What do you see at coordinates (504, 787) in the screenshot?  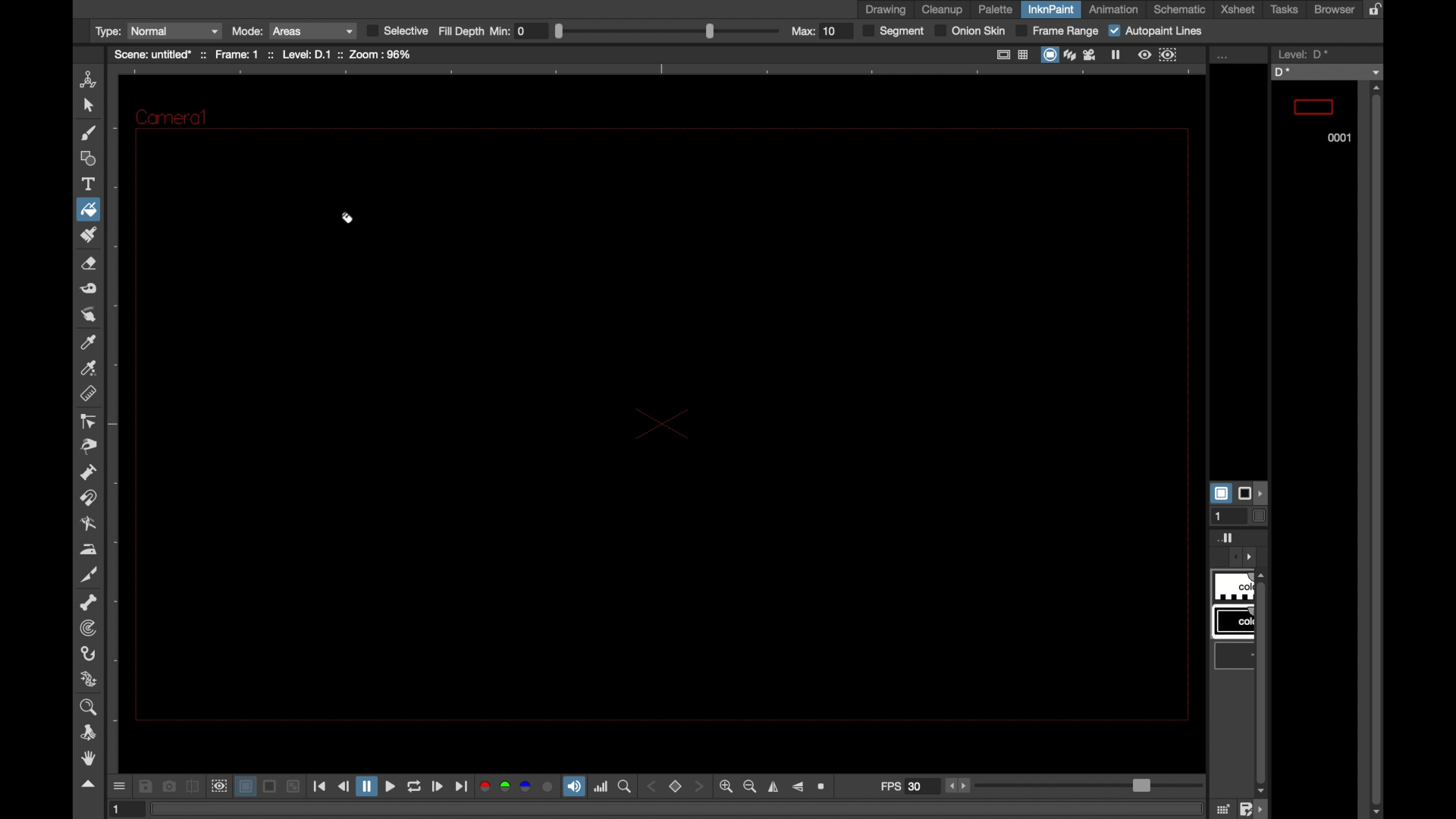 I see `green` at bounding box center [504, 787].